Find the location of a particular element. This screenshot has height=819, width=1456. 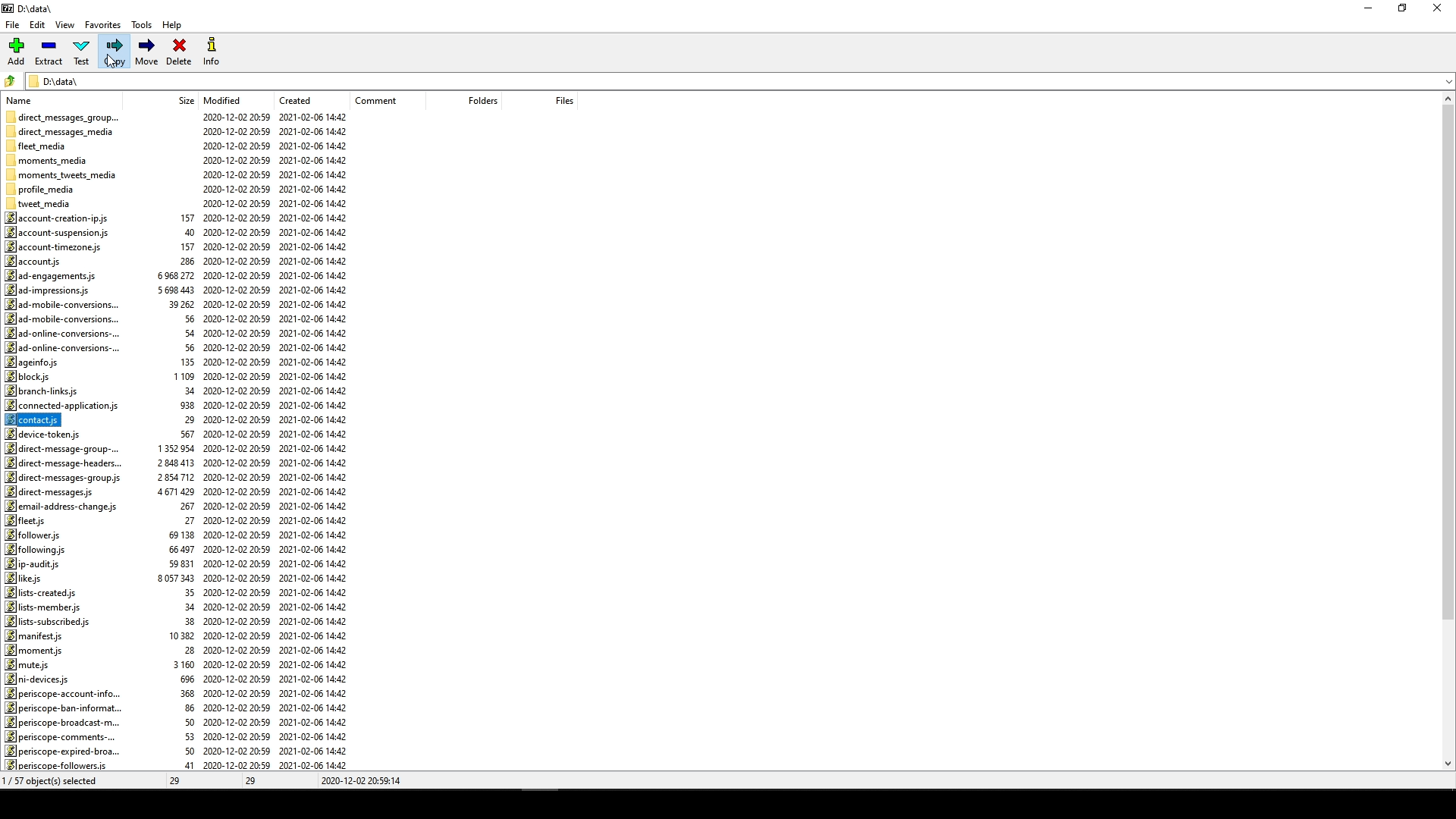

Modified date and time is located at coordinates (236, 441).